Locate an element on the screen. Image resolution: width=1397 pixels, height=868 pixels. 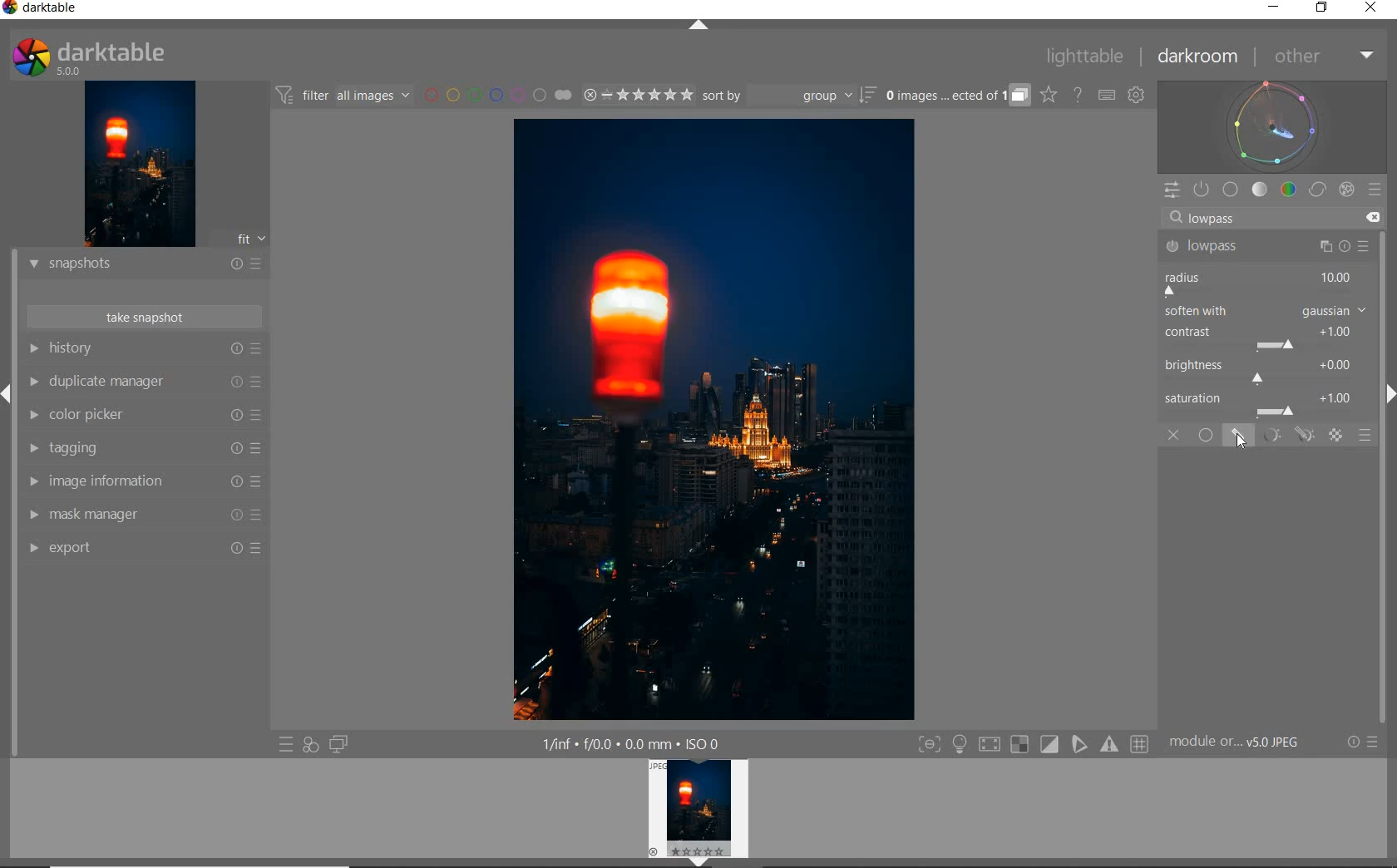
EXPAND/COLLAPSE is located at coordinates (700, 27).